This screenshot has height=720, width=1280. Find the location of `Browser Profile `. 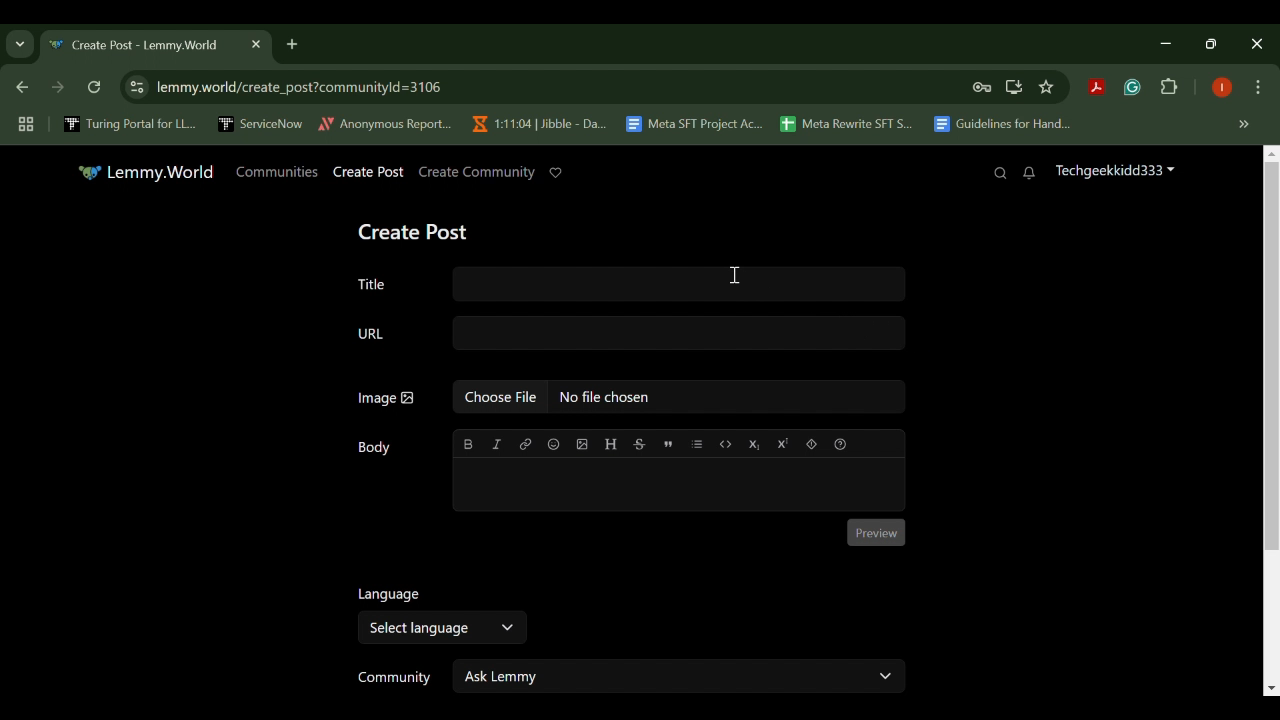

Browser Profile  is located at coordinates (1222, 89).